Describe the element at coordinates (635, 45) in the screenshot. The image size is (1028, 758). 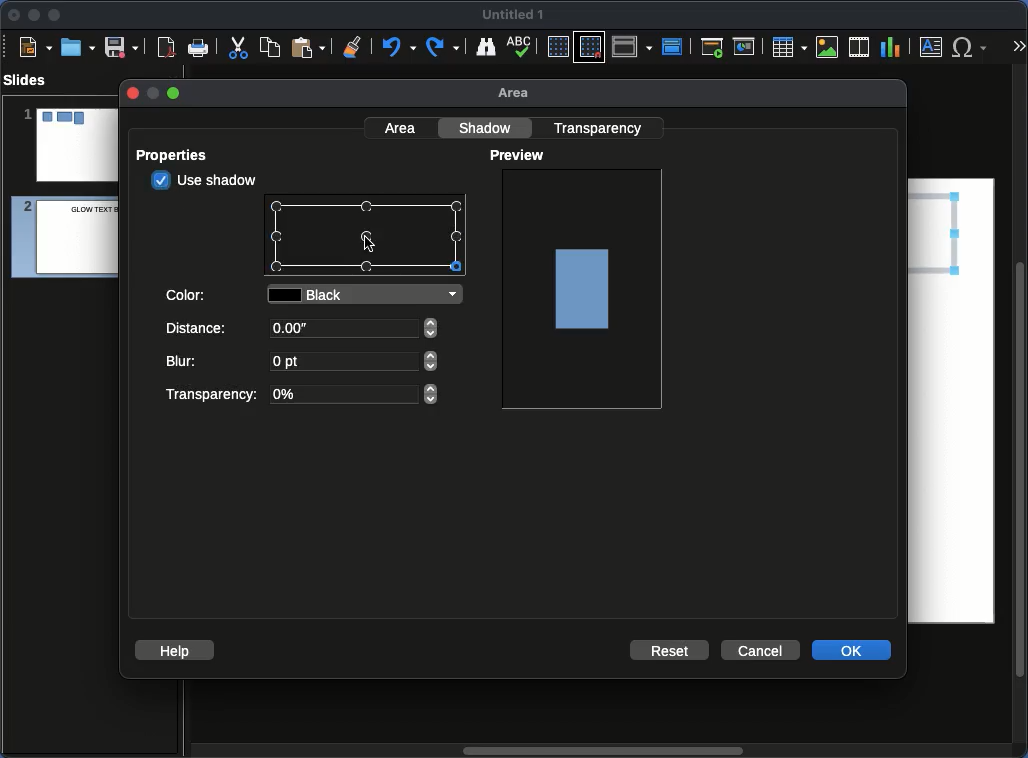
I see `Display views` at that location.